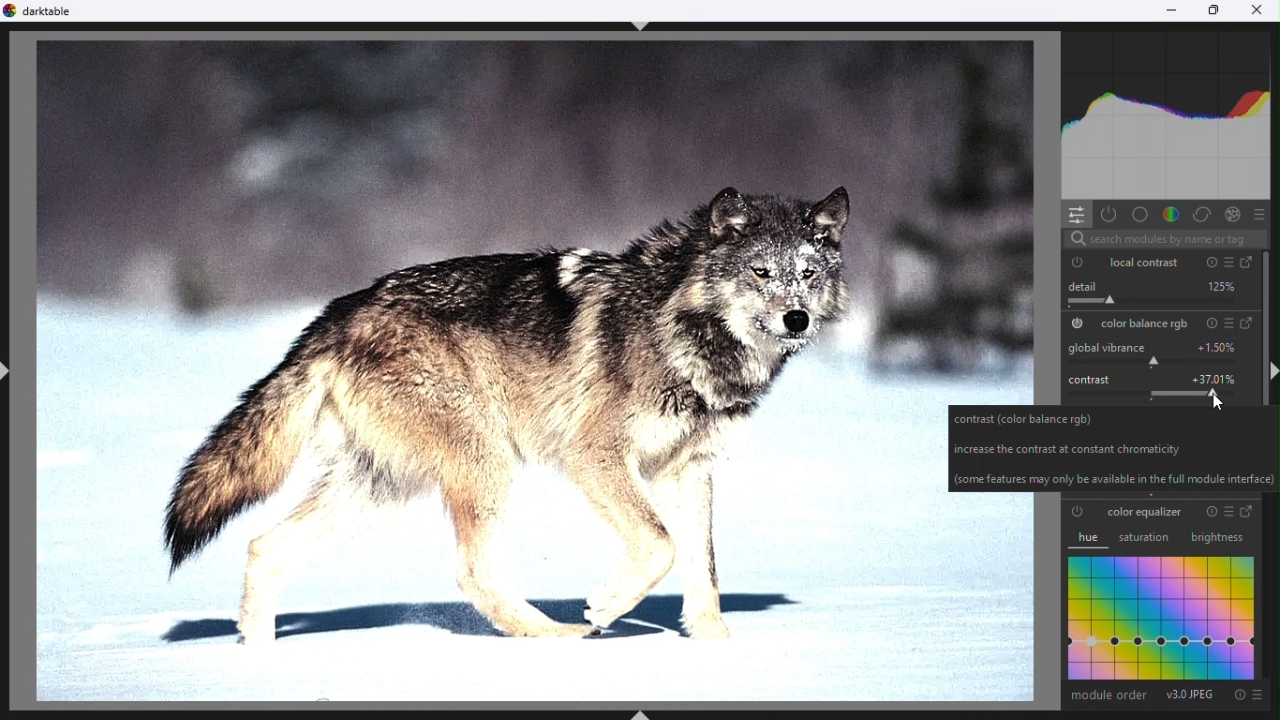 The height and width of the screenshot is (720, 1280). Describe the element at coordinates (1150, 350) in the screenshot. I see `global vibrance` at that location.